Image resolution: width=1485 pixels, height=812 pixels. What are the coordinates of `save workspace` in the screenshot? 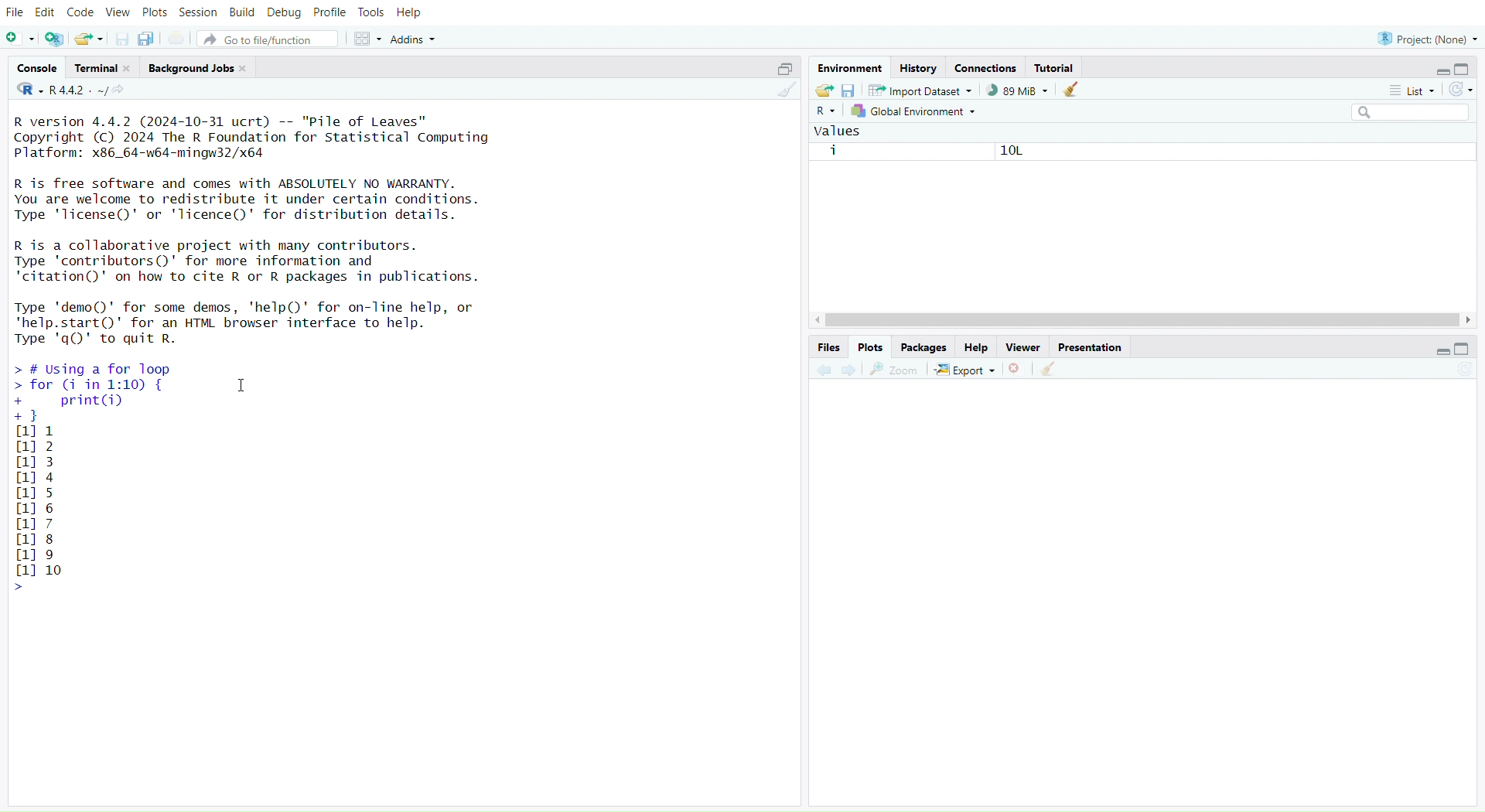 It's located at (851, 91).